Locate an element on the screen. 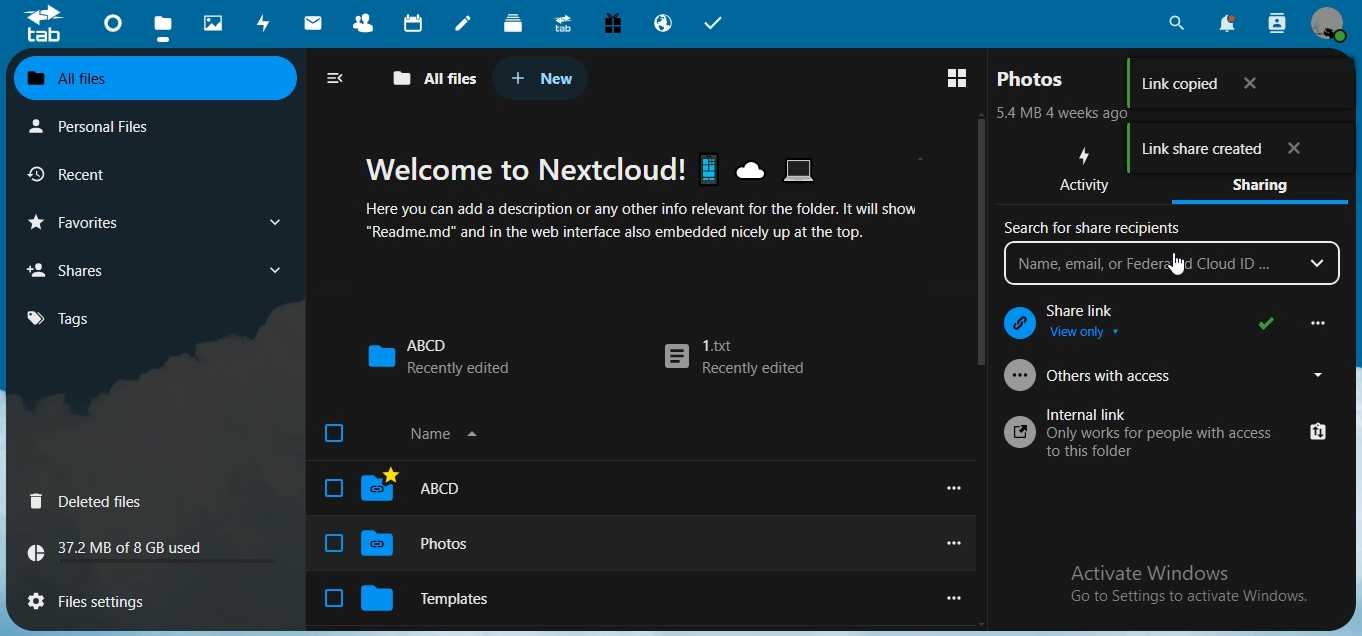 The image size is (1362, 636). close navigation is located at coordinates (340, 78).